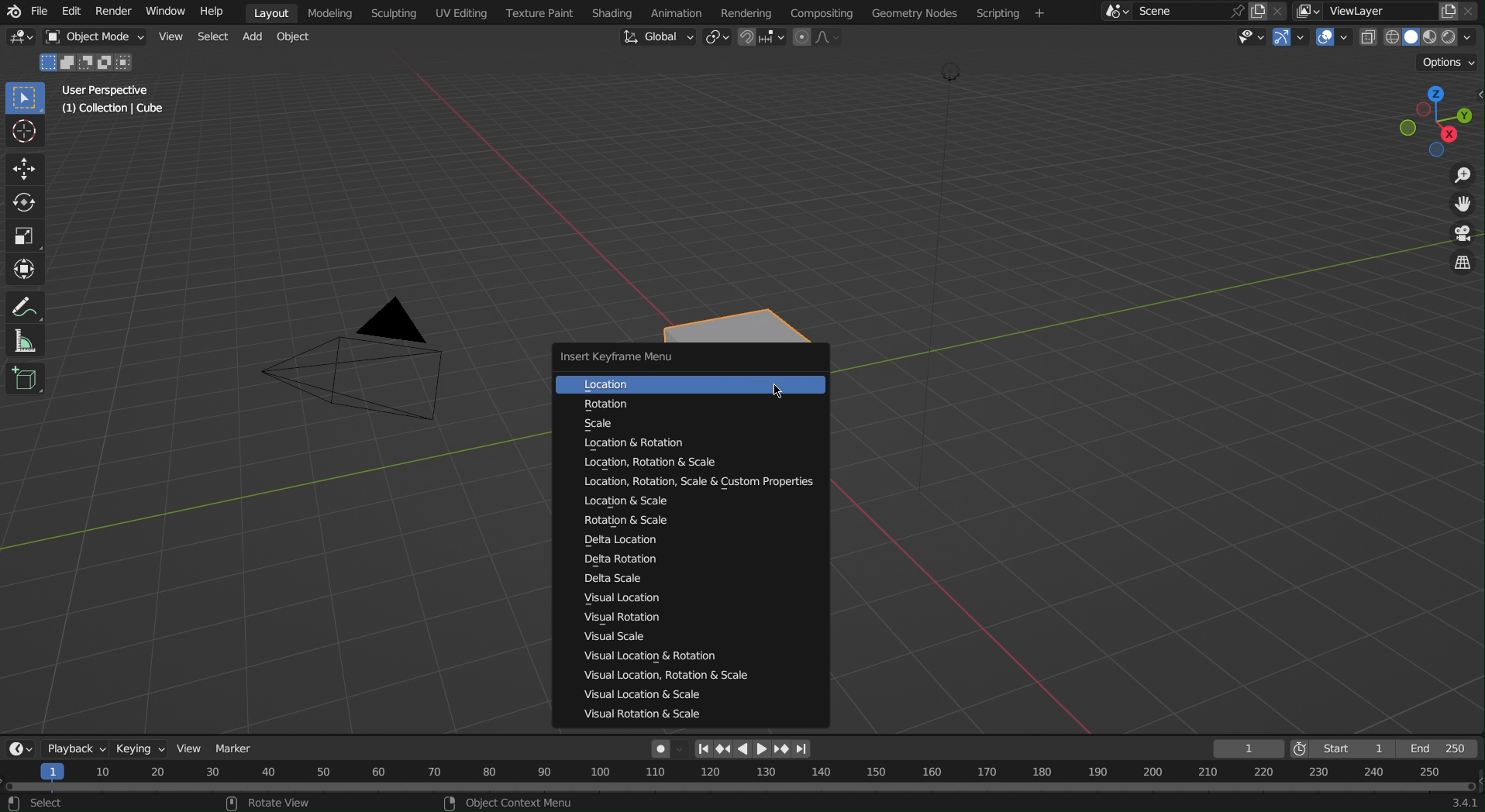  What do you see at coordinates (608, 637) in the screenshot?
I see `Visual Scale` at bounding box center [608, 637].